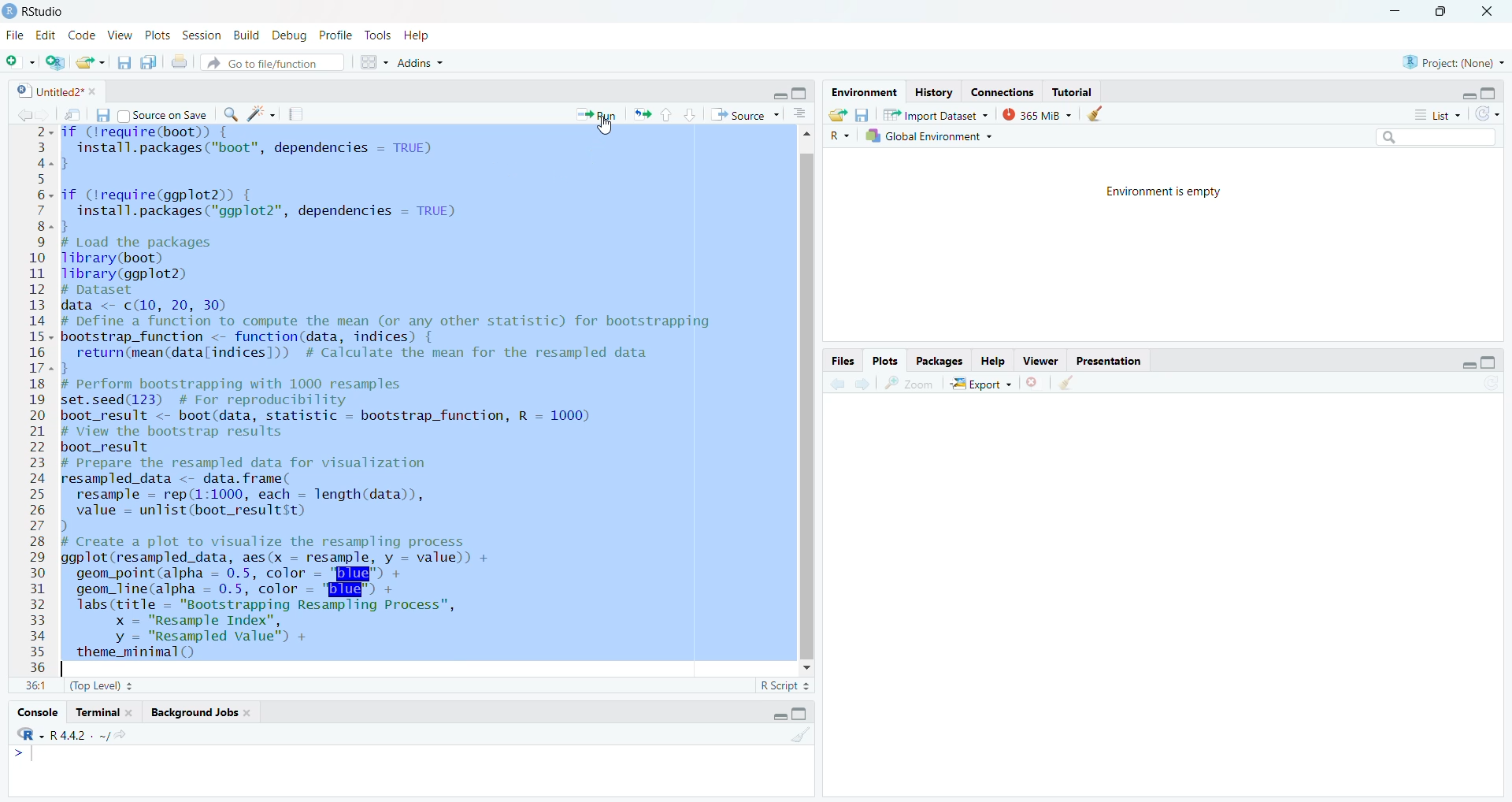 This screenshot has width=1512, height=802. Describe the element at coordinates (606, 129) in the screenshot. I see `cursor` at that location.